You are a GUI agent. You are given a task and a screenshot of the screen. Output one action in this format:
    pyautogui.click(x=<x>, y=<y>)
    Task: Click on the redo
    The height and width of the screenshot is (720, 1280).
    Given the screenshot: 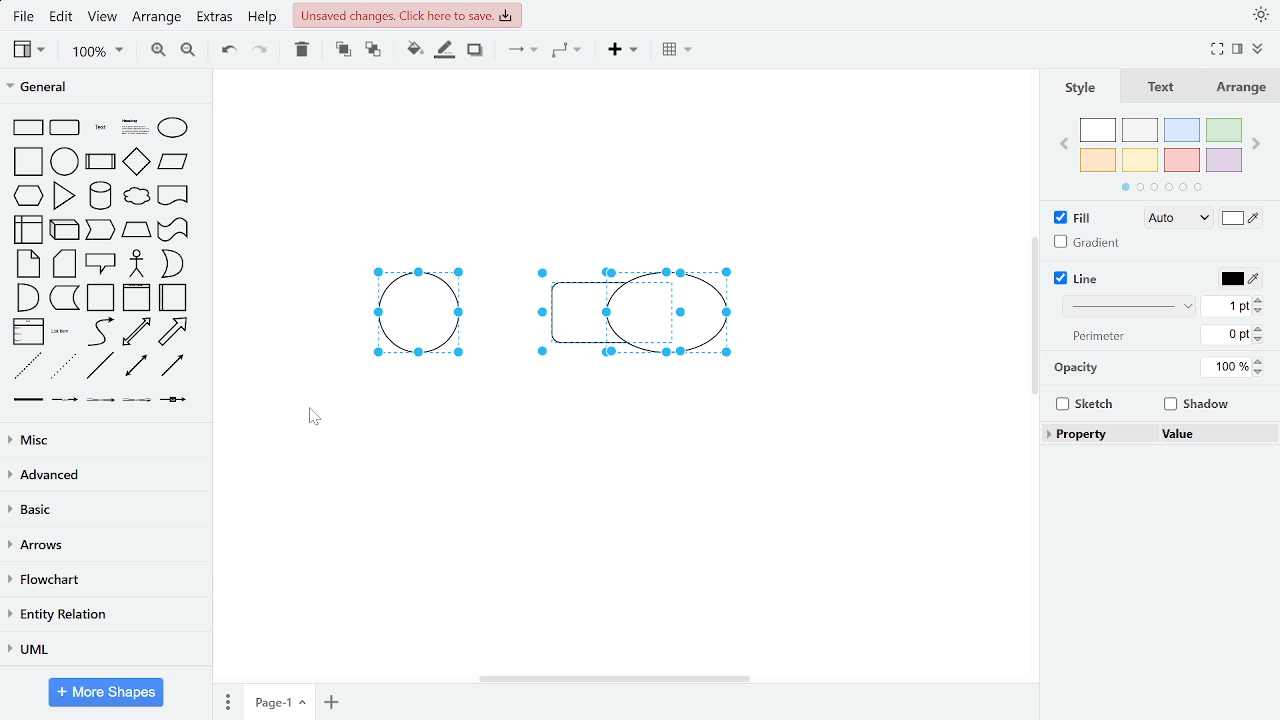 What is the action you would take?
    pyautogui.click(x=261, y=52)
    